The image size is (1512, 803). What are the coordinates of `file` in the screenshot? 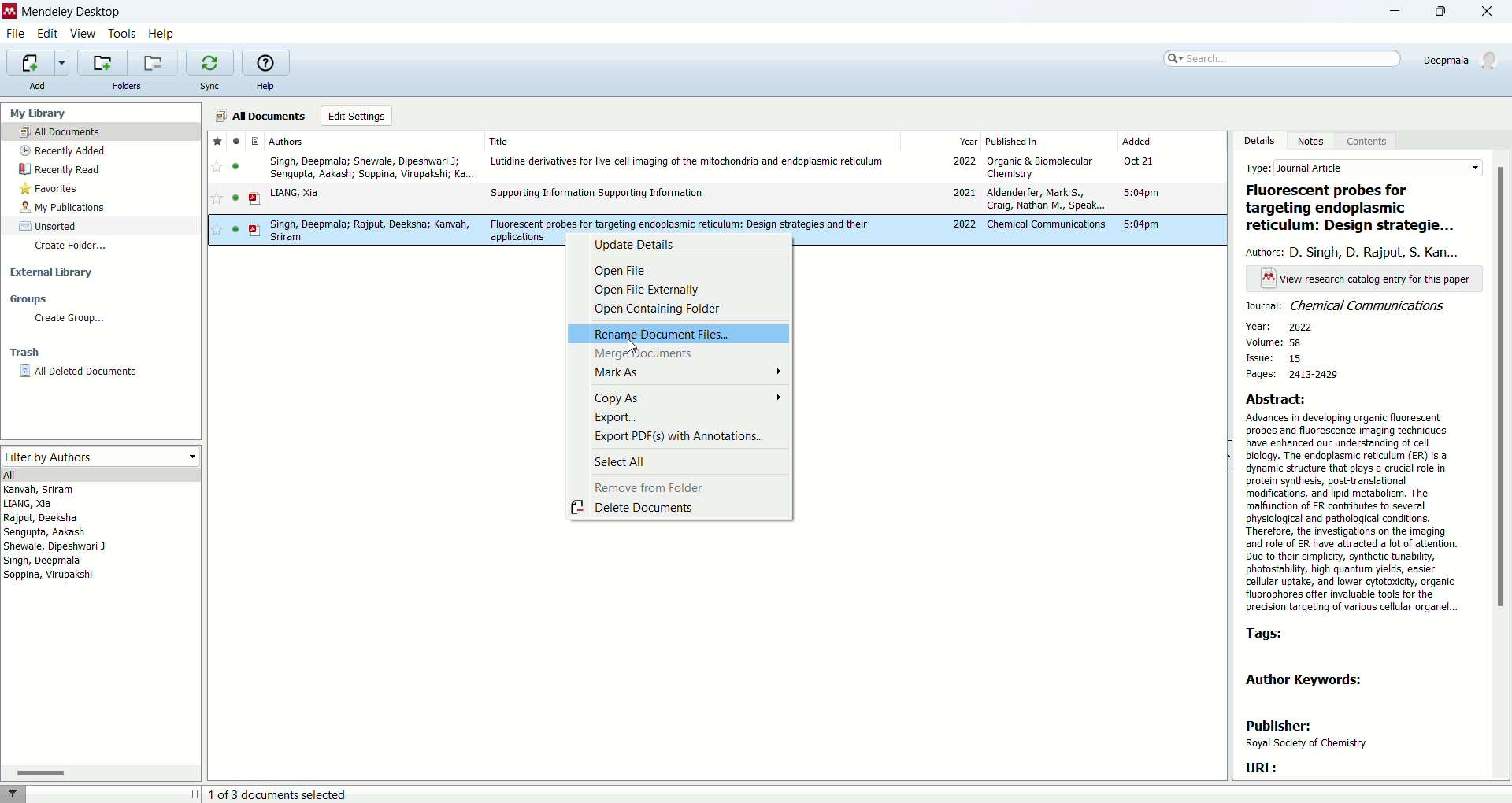 It's located at (17, 34).